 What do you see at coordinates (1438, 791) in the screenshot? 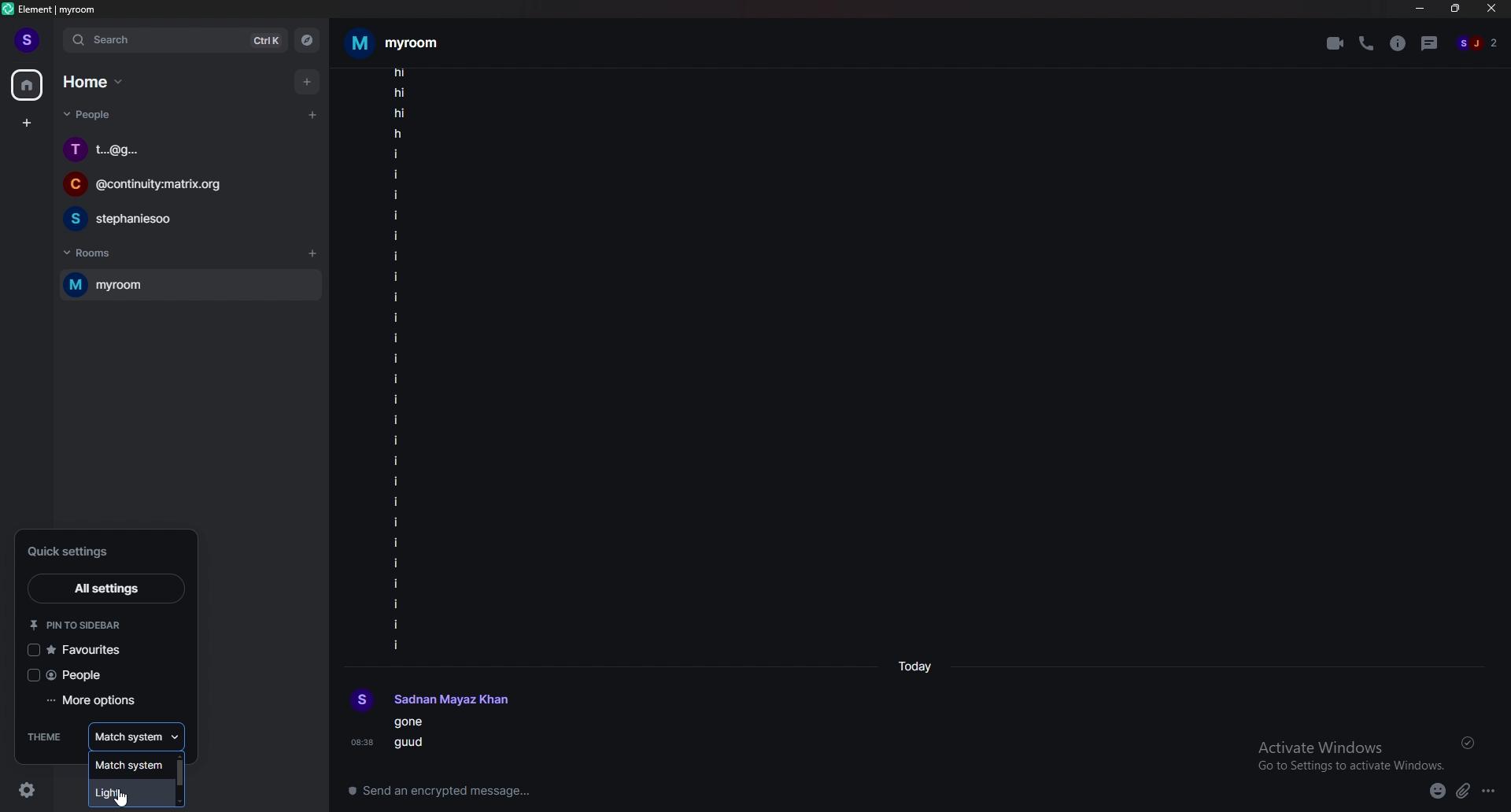
I see `emoji` at bounding box center [1438, 791].